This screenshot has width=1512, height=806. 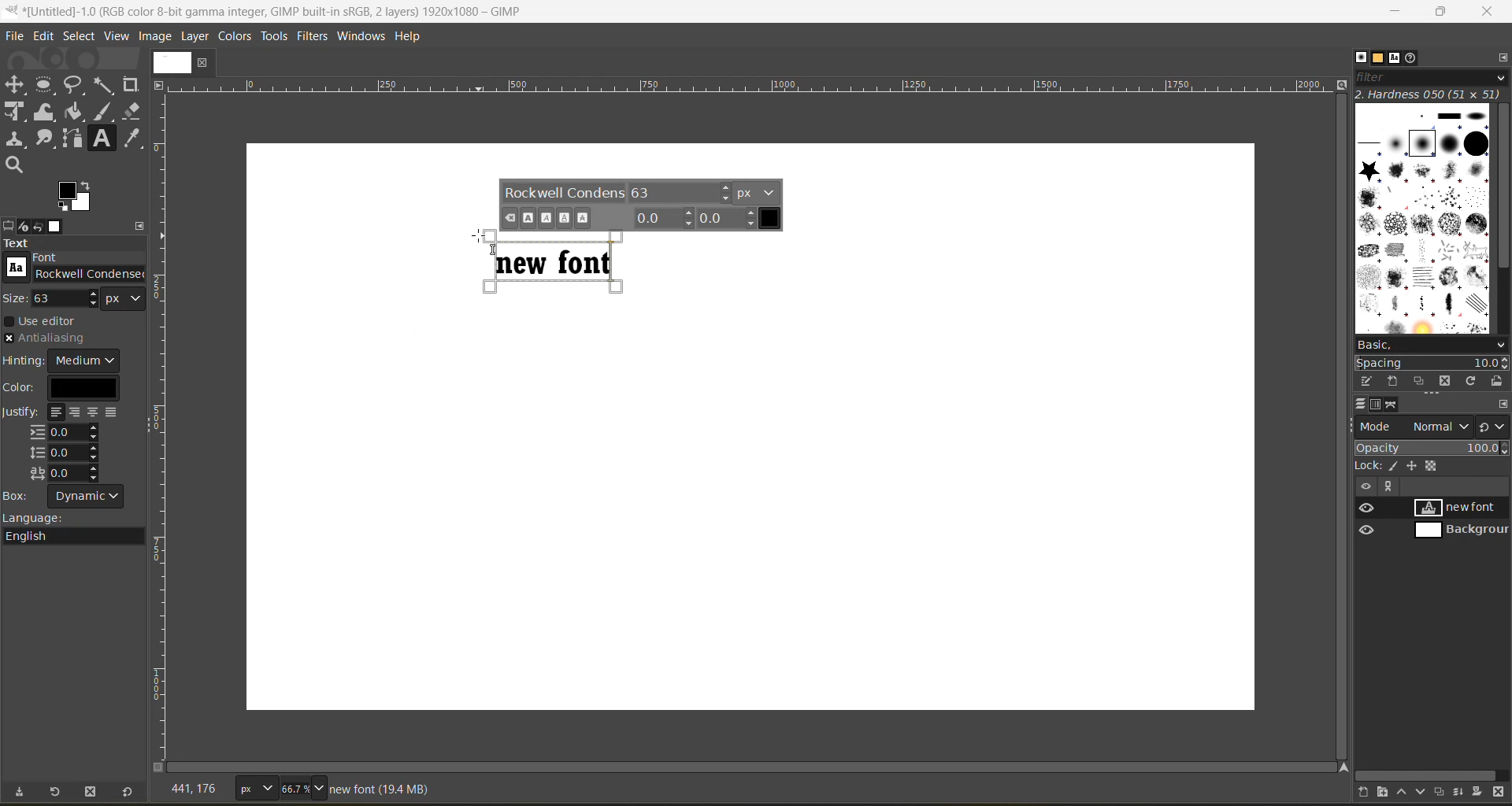 I want to click on mode, so click(x=1412, y=427).